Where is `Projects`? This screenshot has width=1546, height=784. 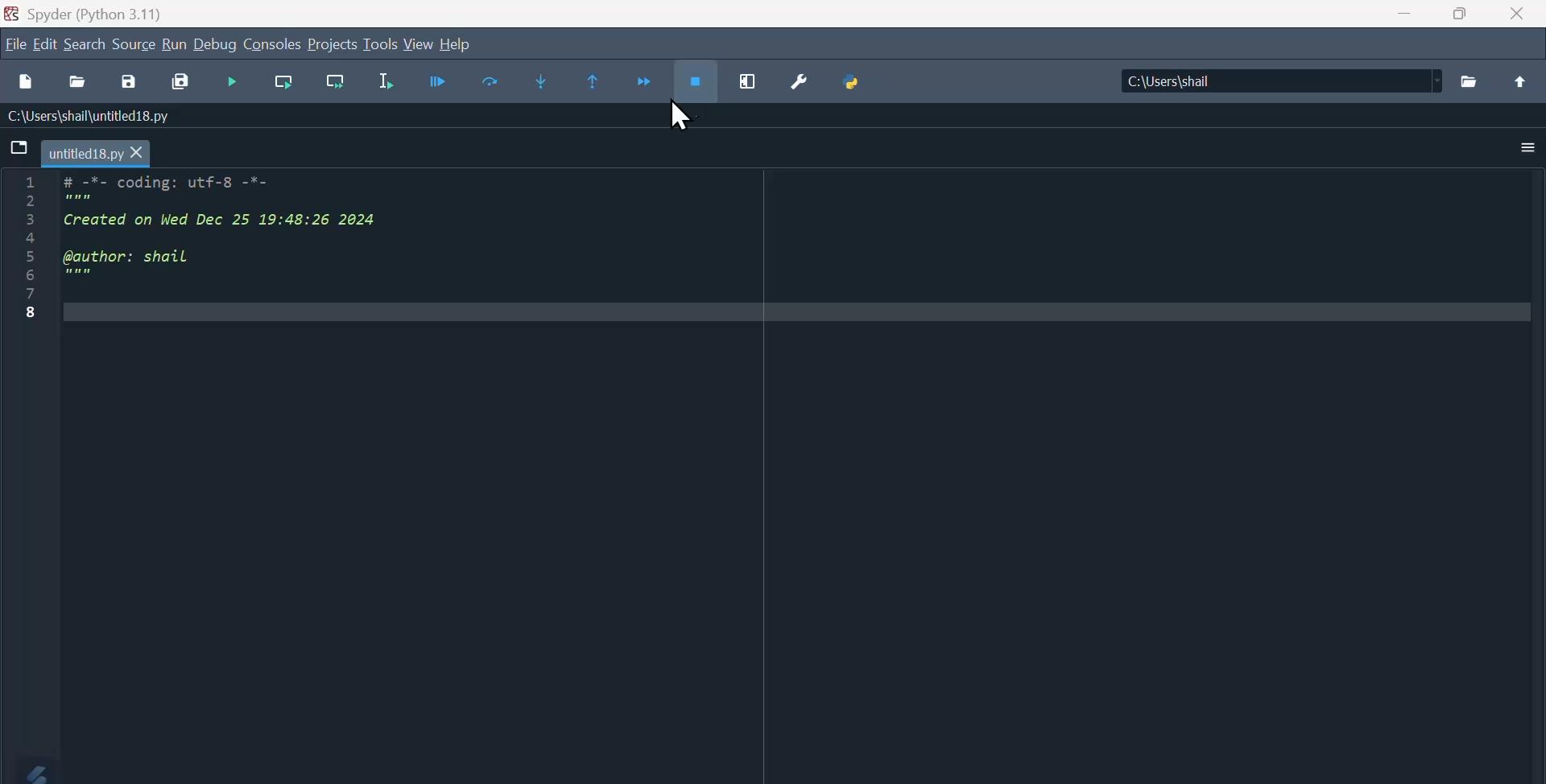
Projects is located at coordinates (333, 42).